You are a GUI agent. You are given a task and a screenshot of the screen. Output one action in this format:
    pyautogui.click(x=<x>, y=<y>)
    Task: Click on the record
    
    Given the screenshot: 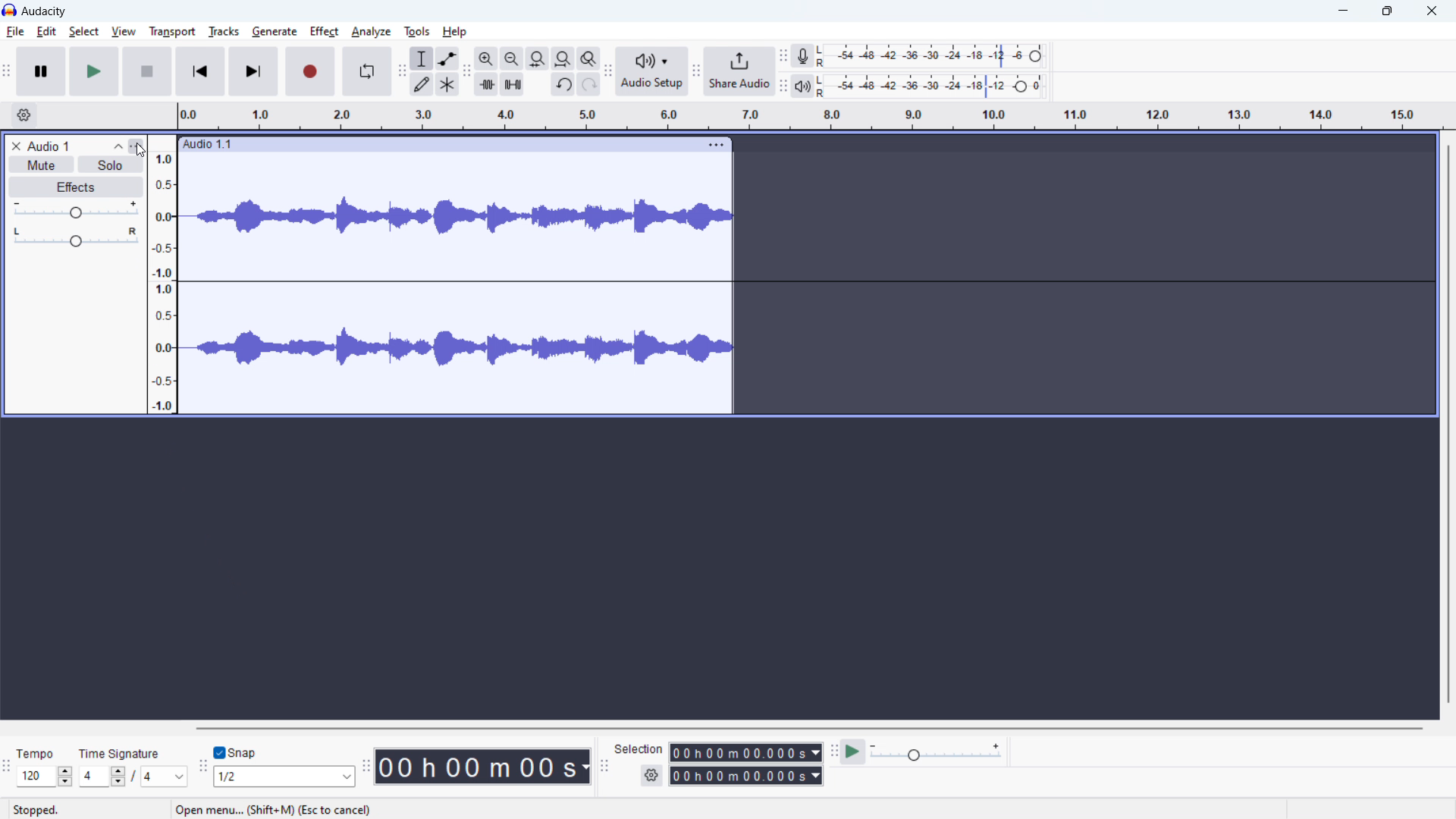 What is the action you would take?
    pyautogui.click(x=309, y=71)
    